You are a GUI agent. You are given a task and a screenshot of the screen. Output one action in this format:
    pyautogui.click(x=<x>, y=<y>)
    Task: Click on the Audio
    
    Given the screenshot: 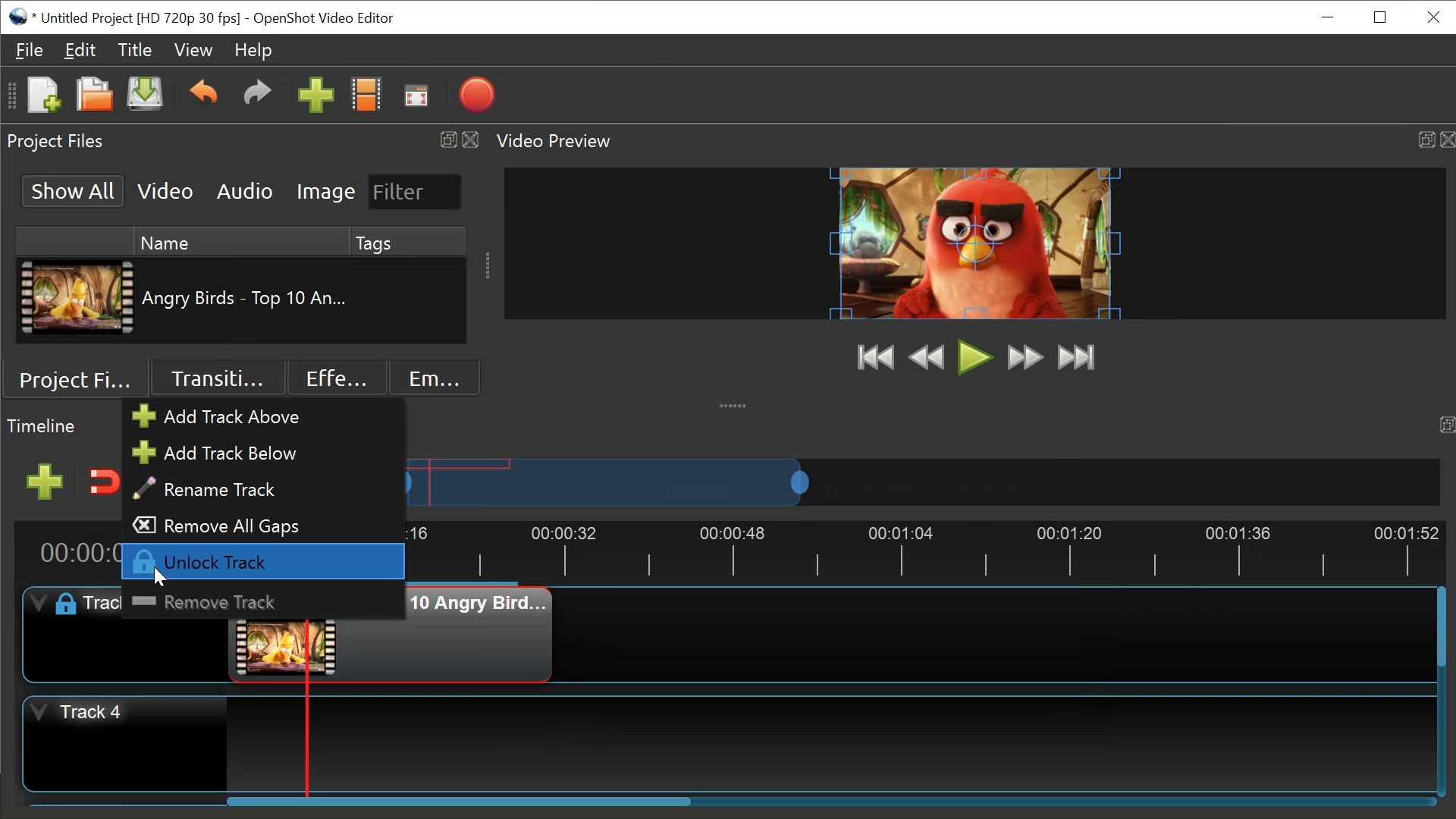 What is the action you would take?
    pyautogui.click(x=247, y=191)
    